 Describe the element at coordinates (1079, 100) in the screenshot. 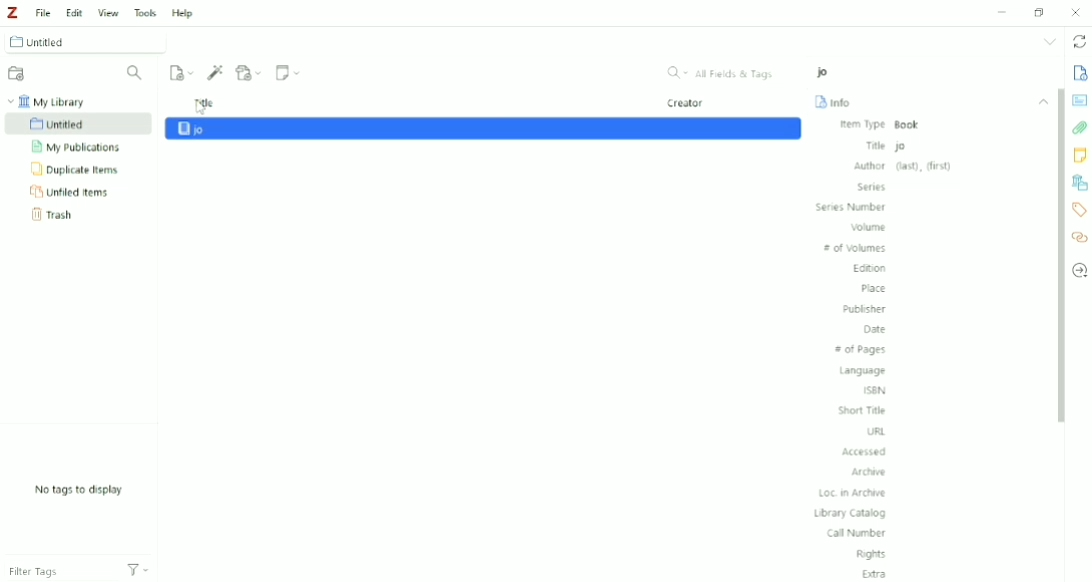

I see `Abstract` at that location.